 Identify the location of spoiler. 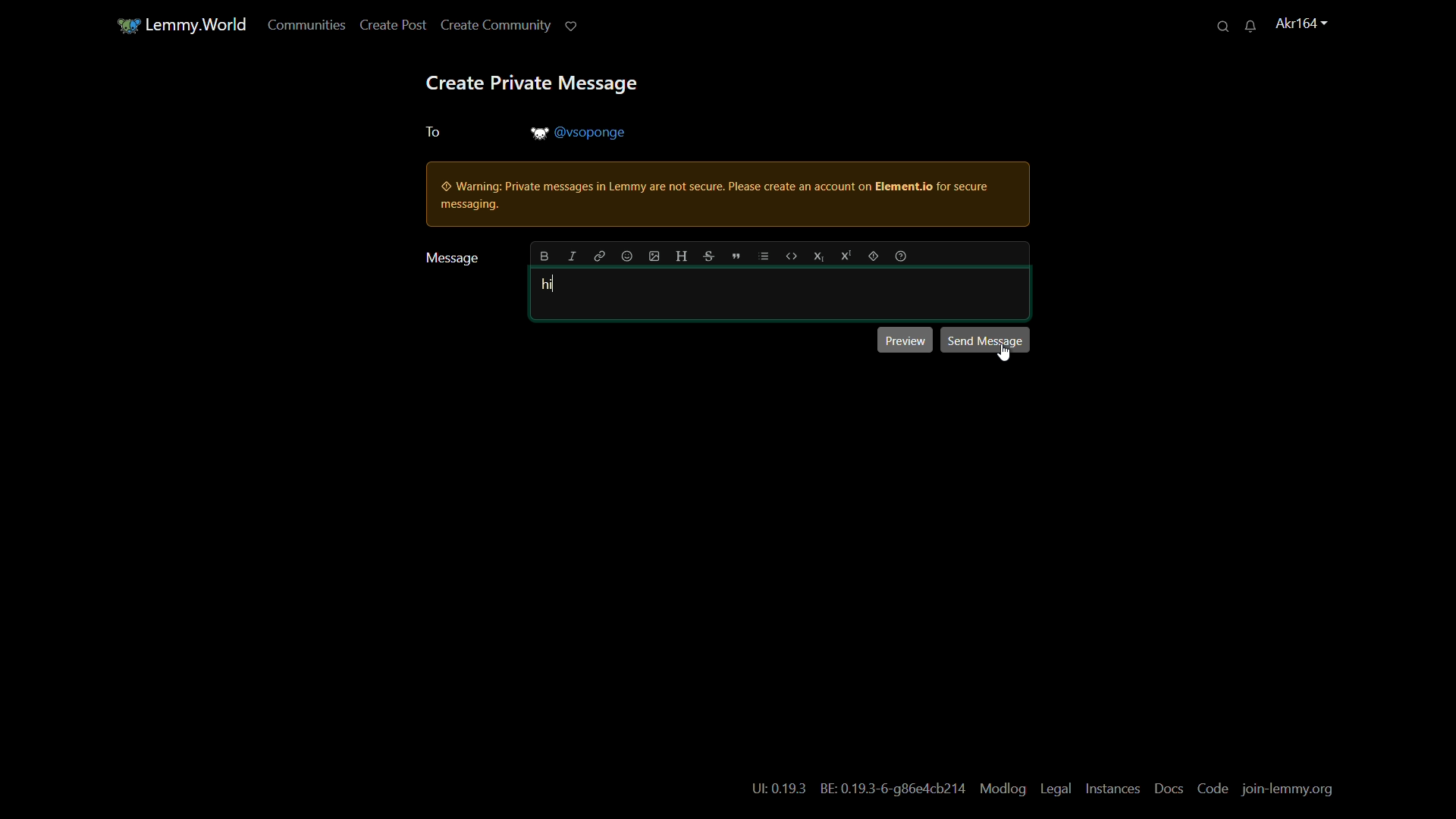
(876, 256).